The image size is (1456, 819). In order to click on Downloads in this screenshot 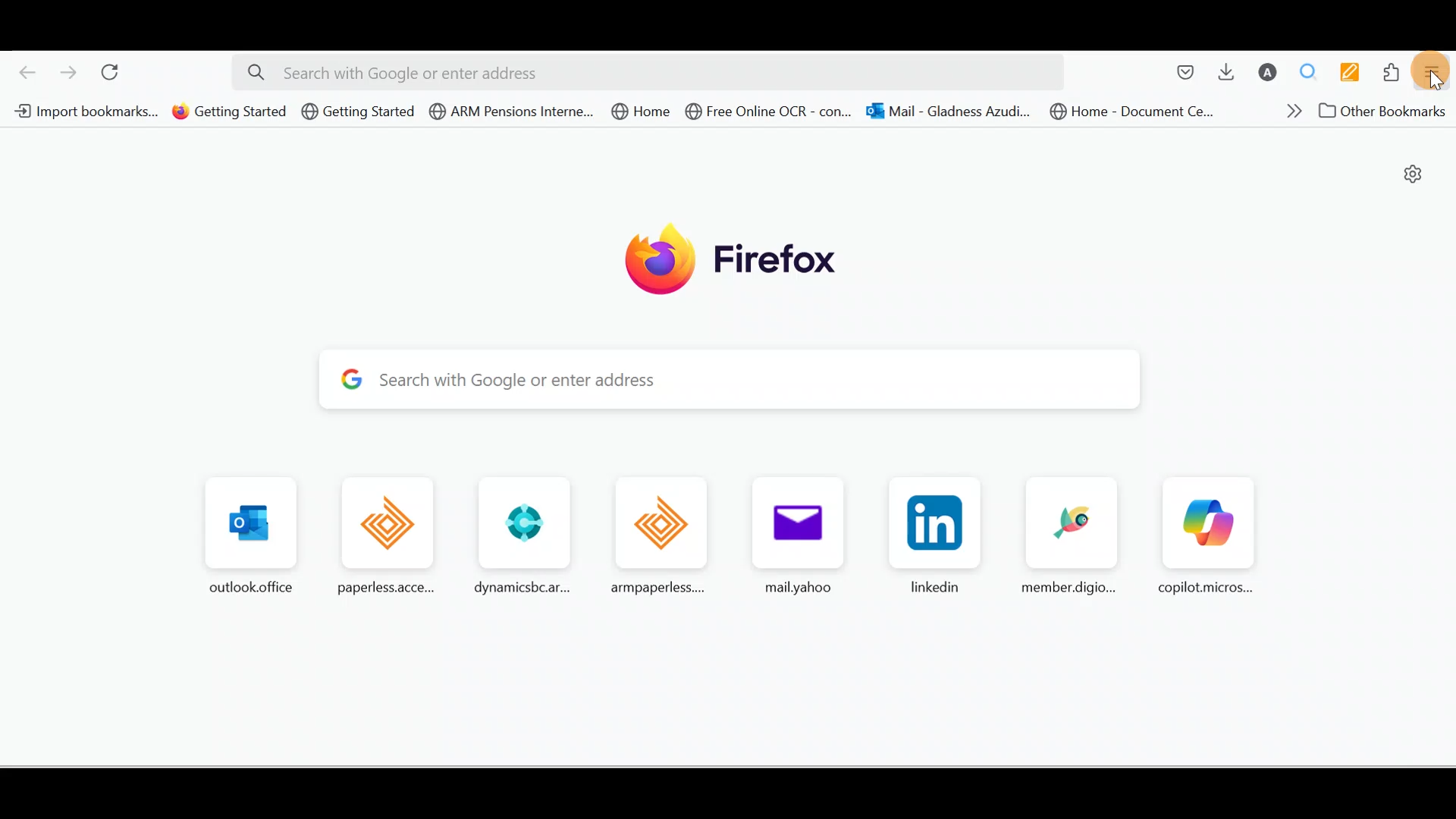, I will do `click(1222, 71)`.